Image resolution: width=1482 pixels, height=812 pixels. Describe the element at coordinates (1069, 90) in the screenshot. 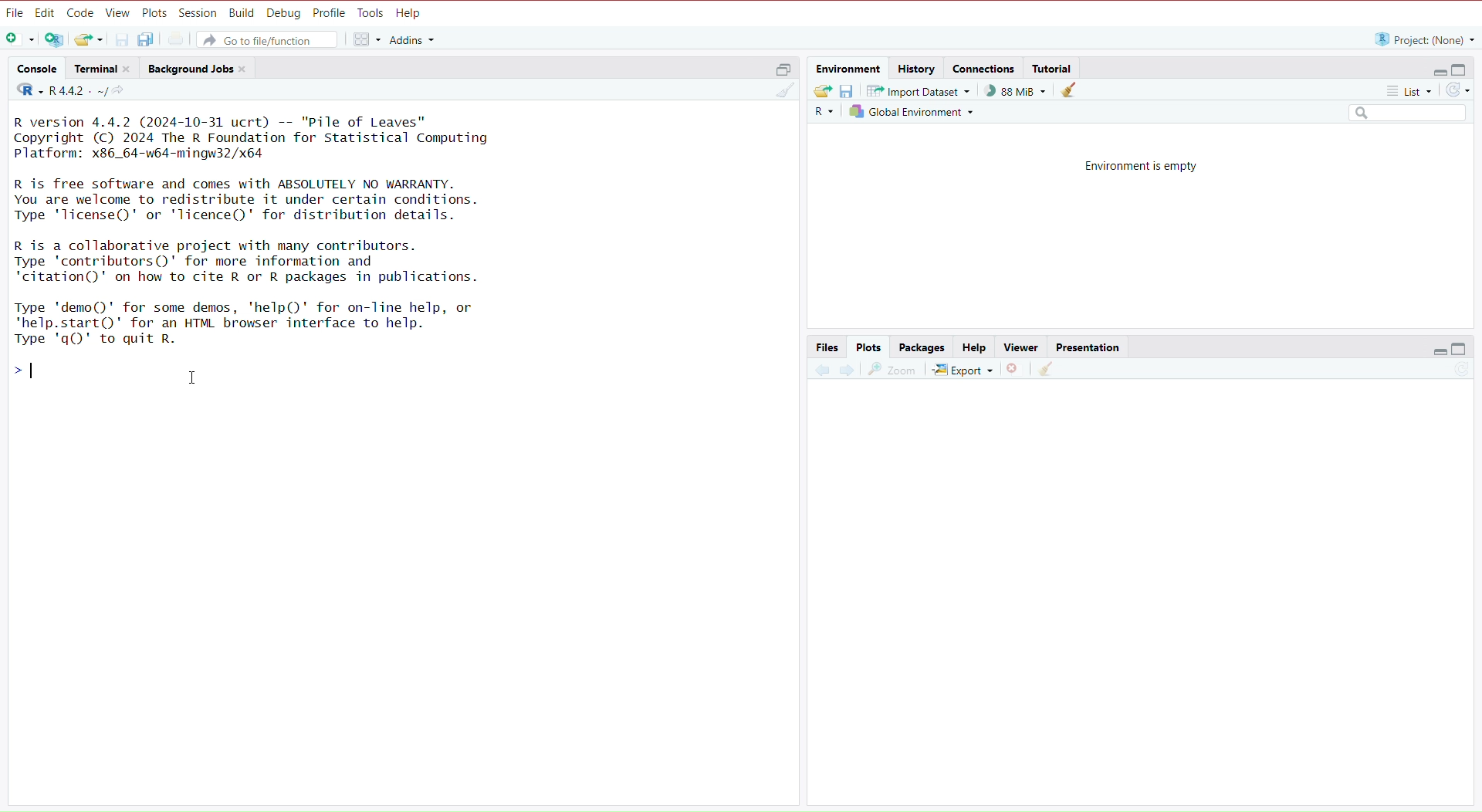

I see `Clear` at that location.